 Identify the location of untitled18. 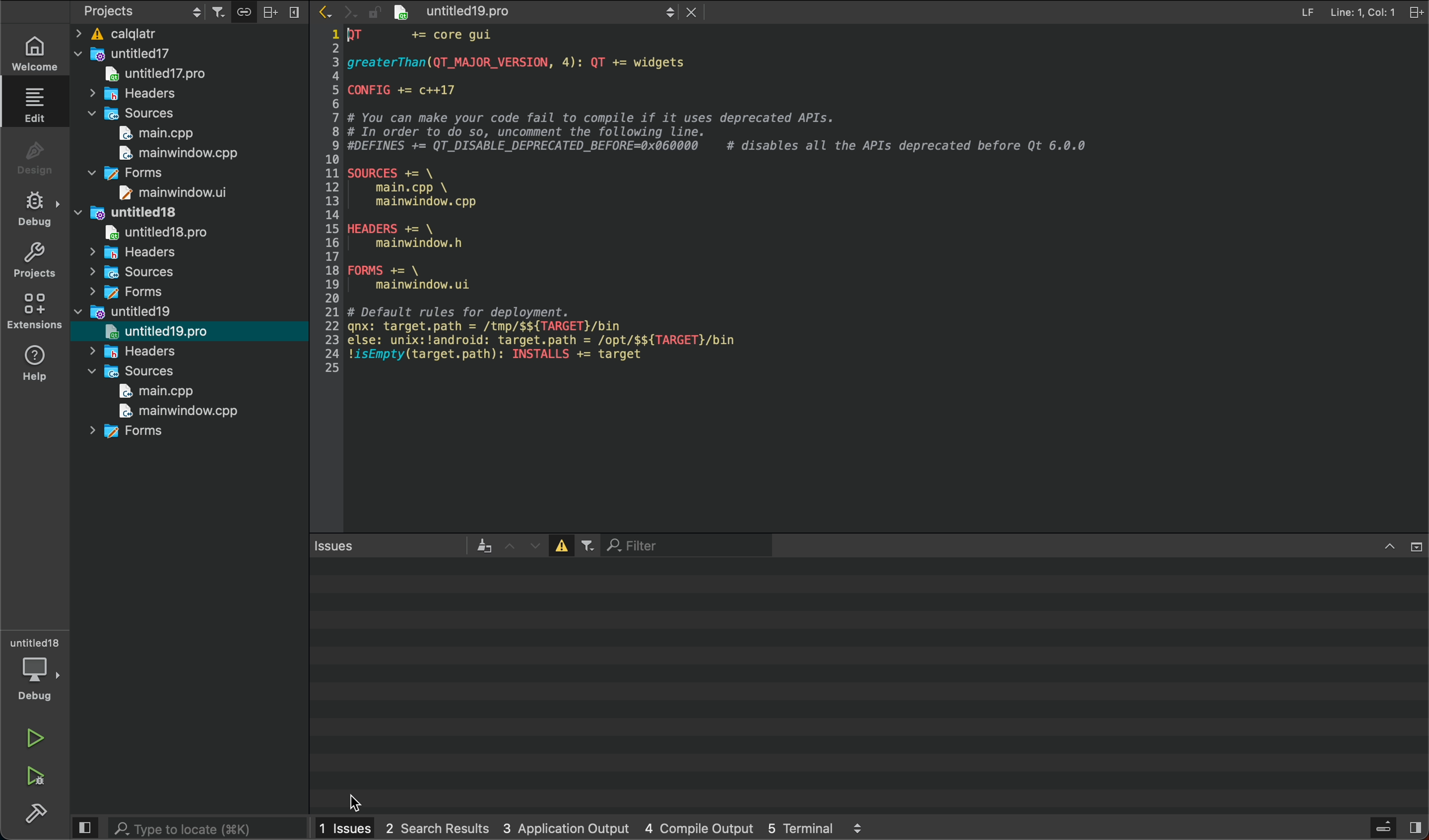
(139, 214).